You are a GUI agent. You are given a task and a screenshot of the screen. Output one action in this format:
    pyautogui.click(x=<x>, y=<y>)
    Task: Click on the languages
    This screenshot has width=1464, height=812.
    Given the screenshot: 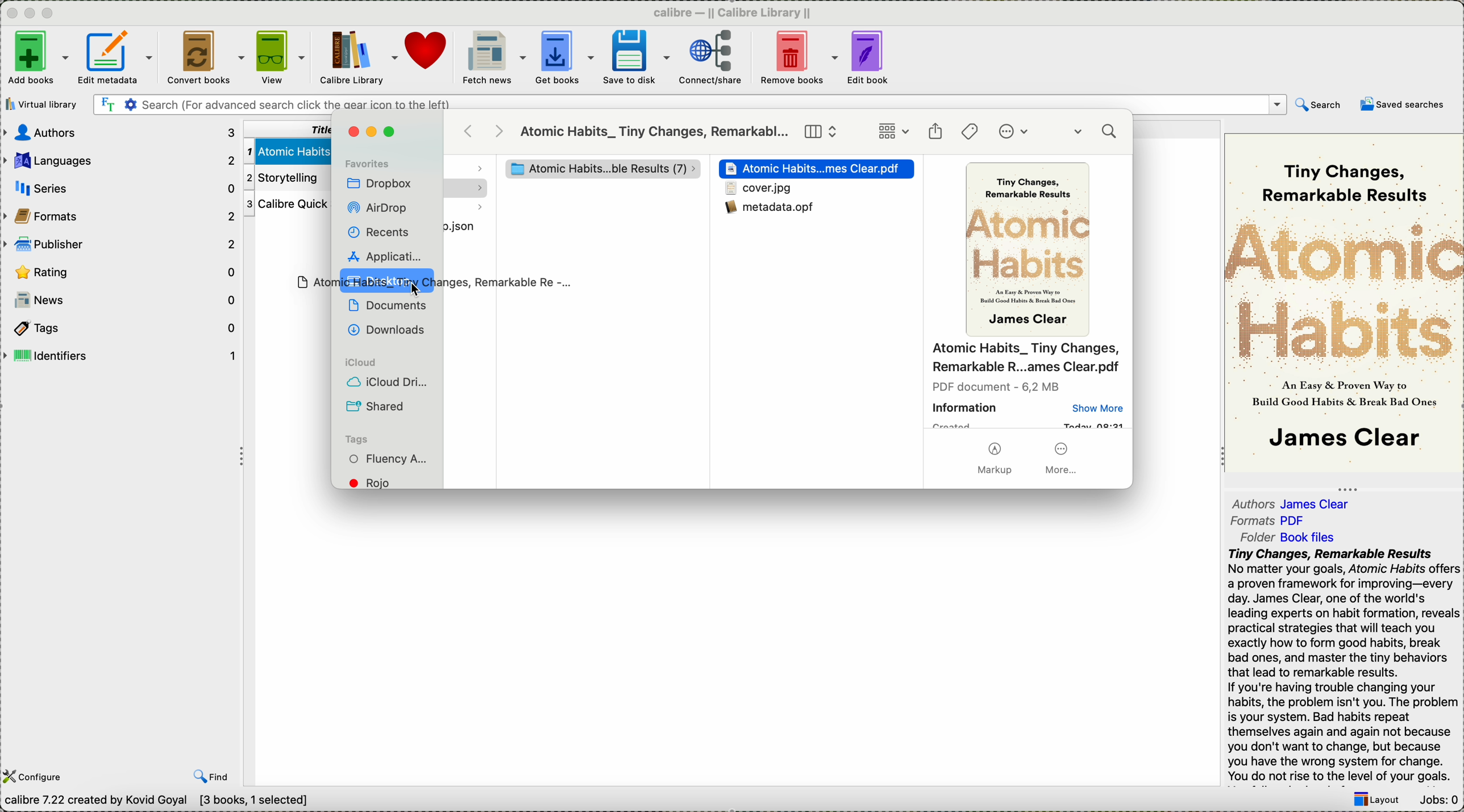 What is the action you would take?
    pyautogui.click(x=120, y=158)
    